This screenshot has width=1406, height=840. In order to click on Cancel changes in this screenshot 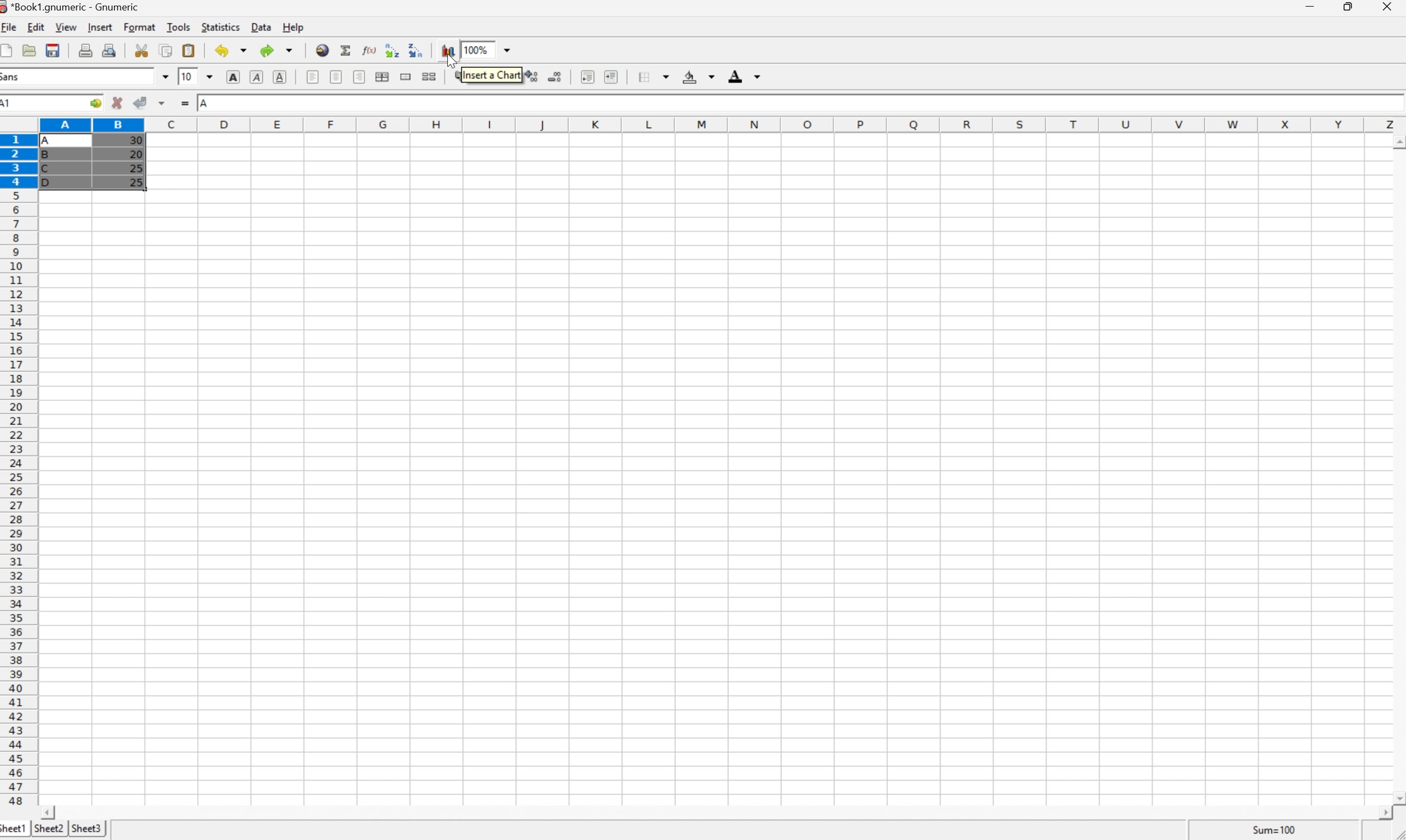, I will do `click(117, 102)`.